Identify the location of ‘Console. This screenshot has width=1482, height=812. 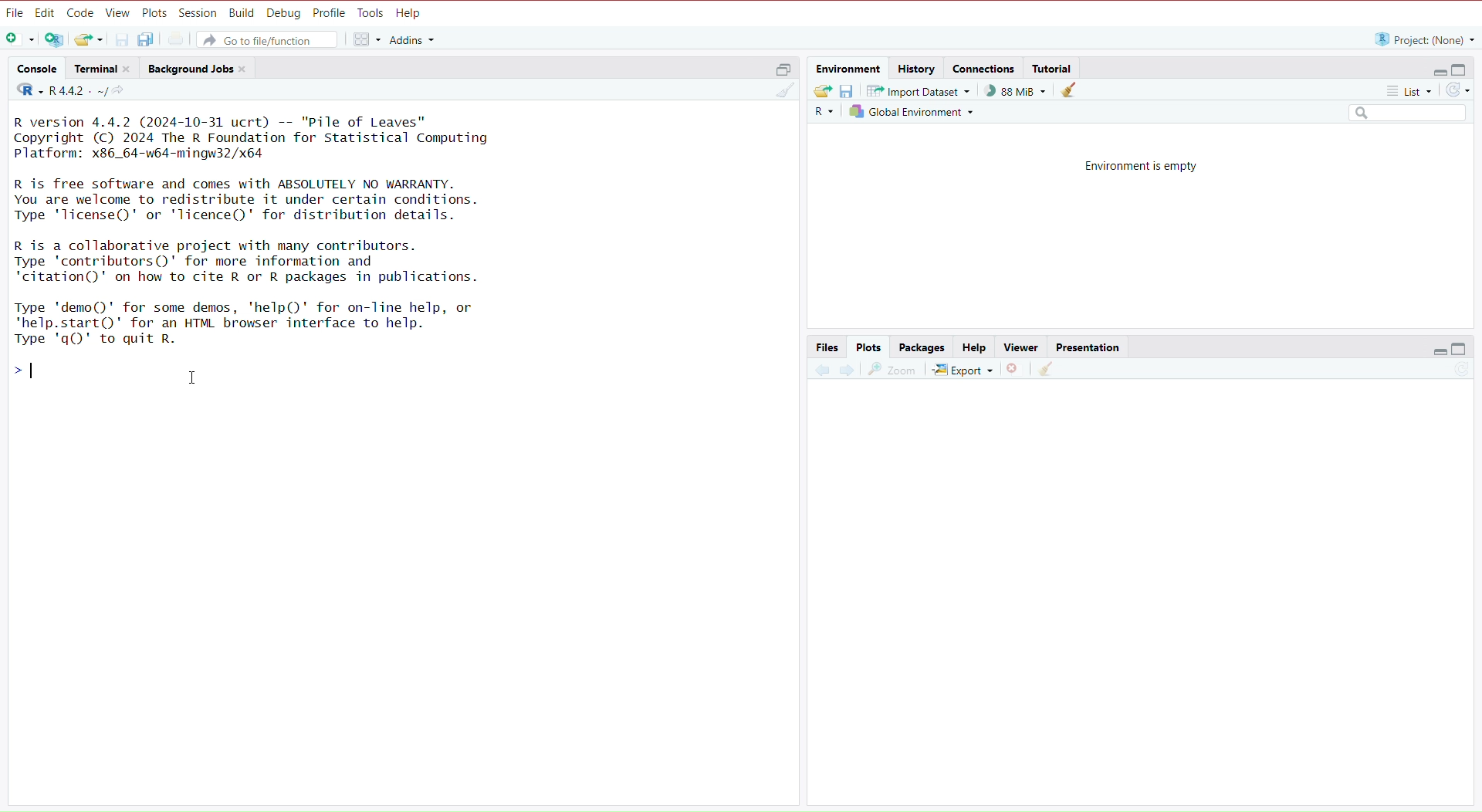
(36, 67).